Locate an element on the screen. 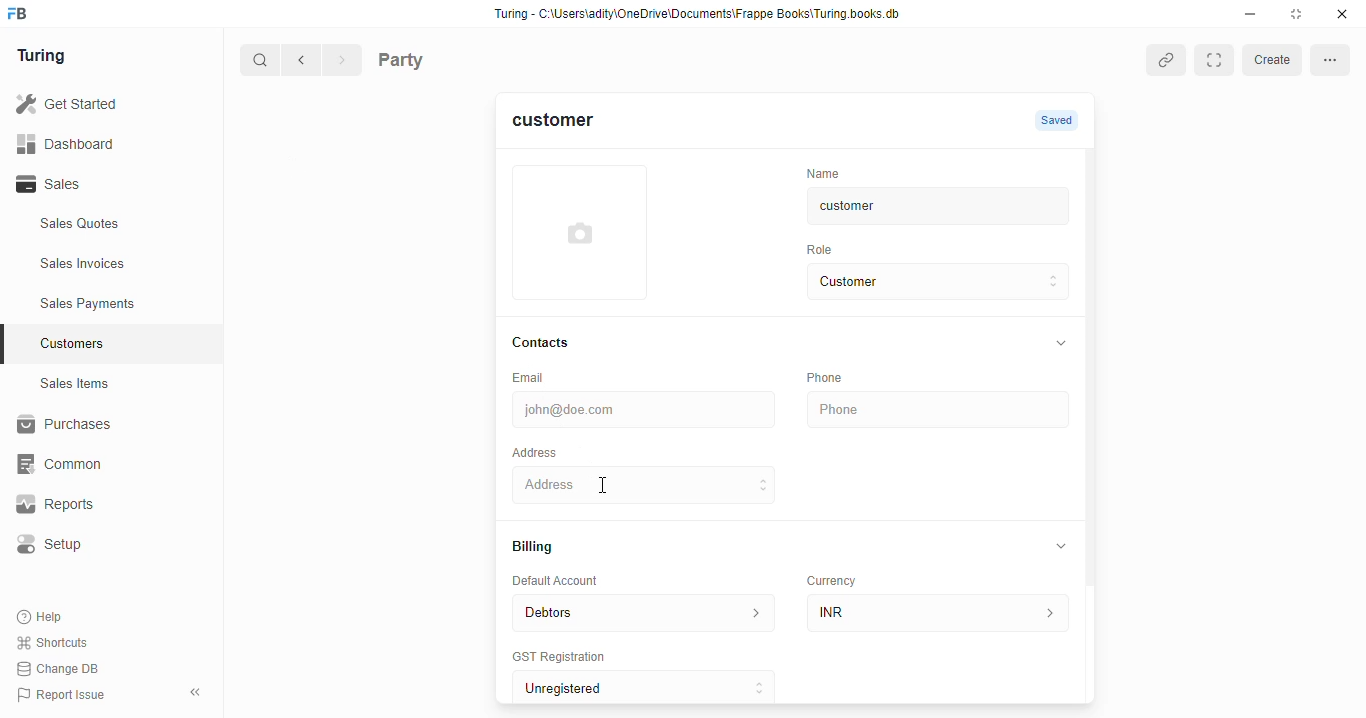 This screenshot has height=718, width=1366. customer is located at coordinates (565, 125).